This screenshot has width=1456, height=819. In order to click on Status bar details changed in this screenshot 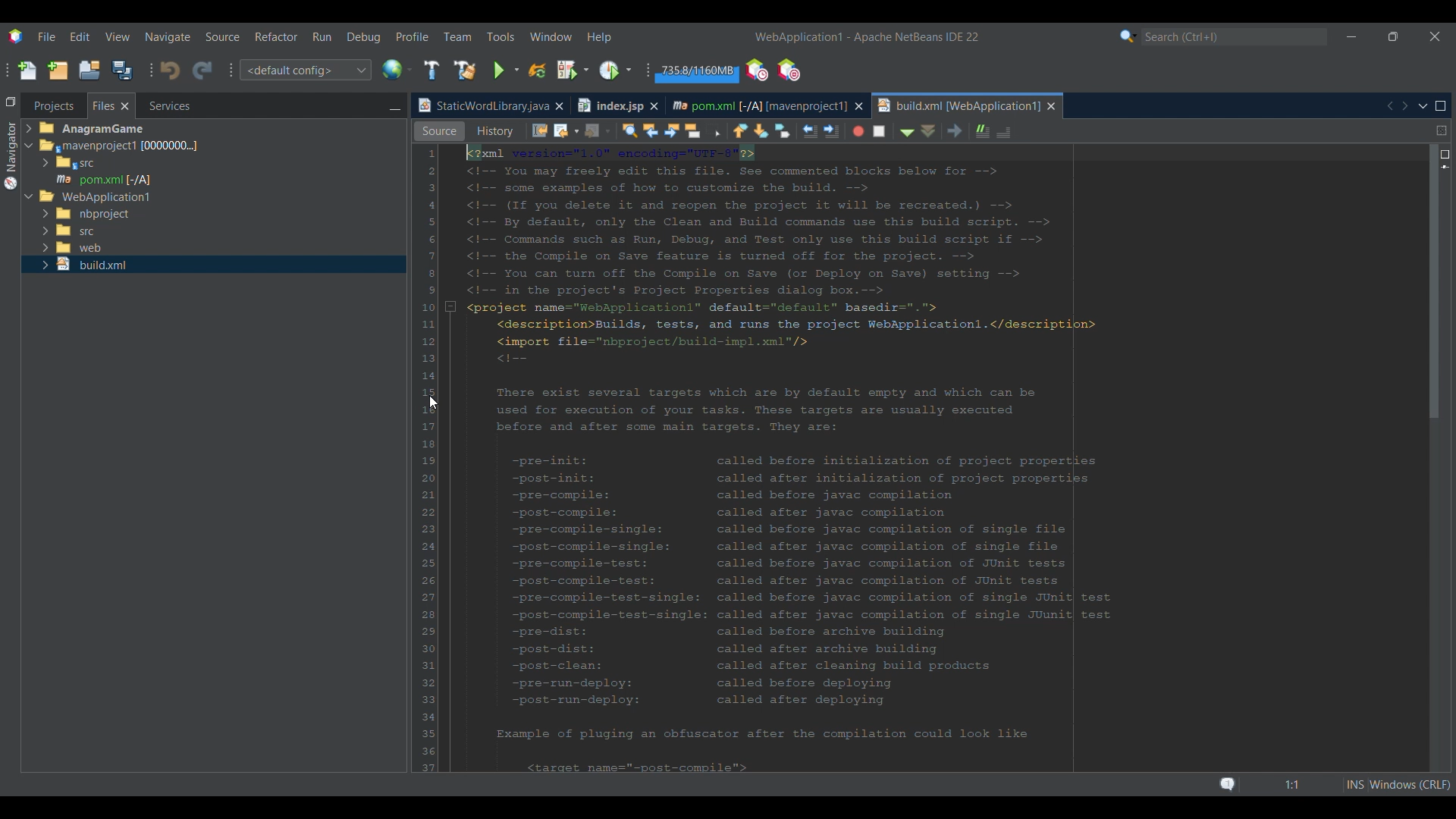, I will do `click(1334, 784)`.